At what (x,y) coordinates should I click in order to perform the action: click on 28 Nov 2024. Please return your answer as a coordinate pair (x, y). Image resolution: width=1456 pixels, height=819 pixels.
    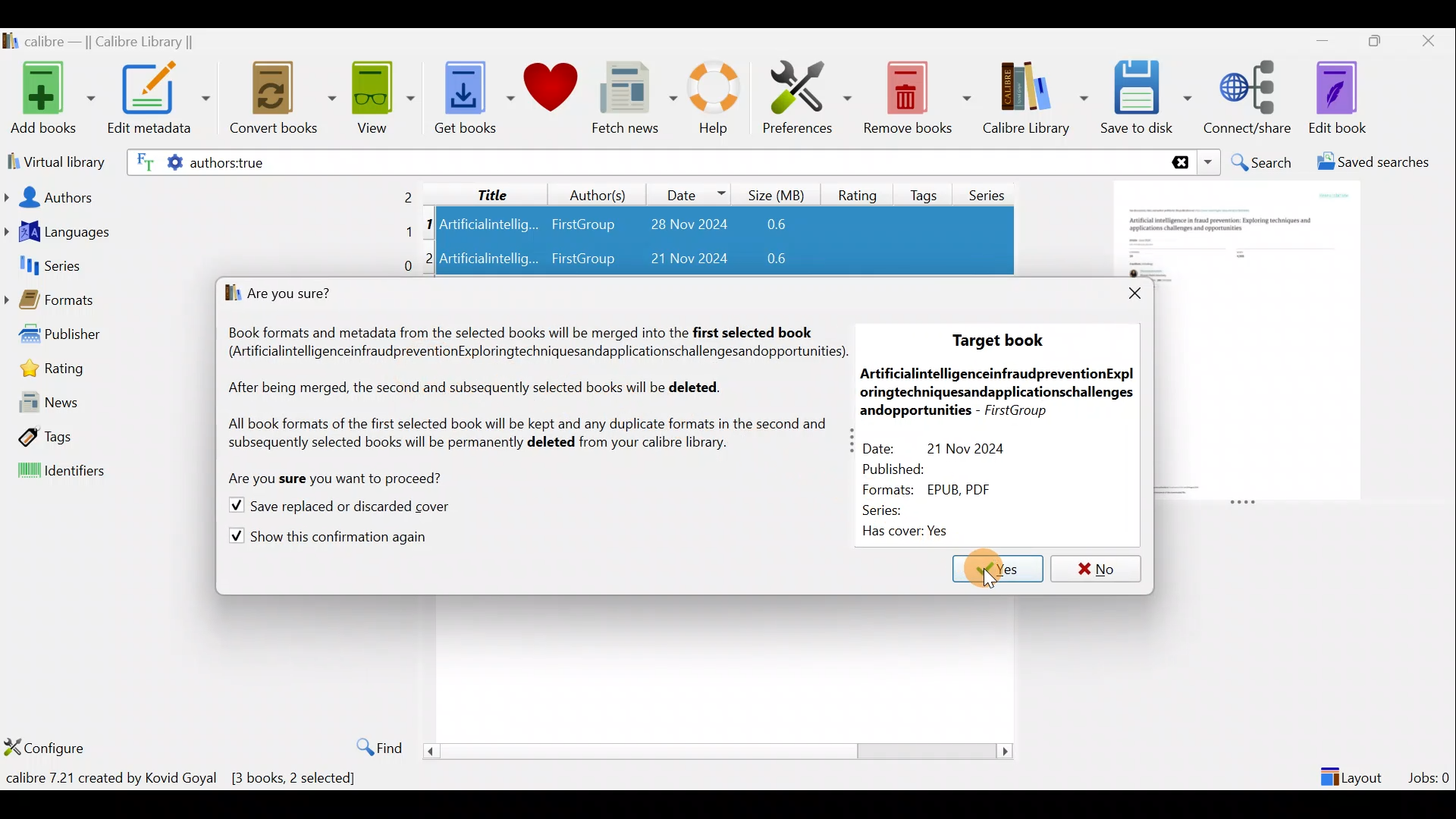
    Looking at the image, I should click on (681, 226).